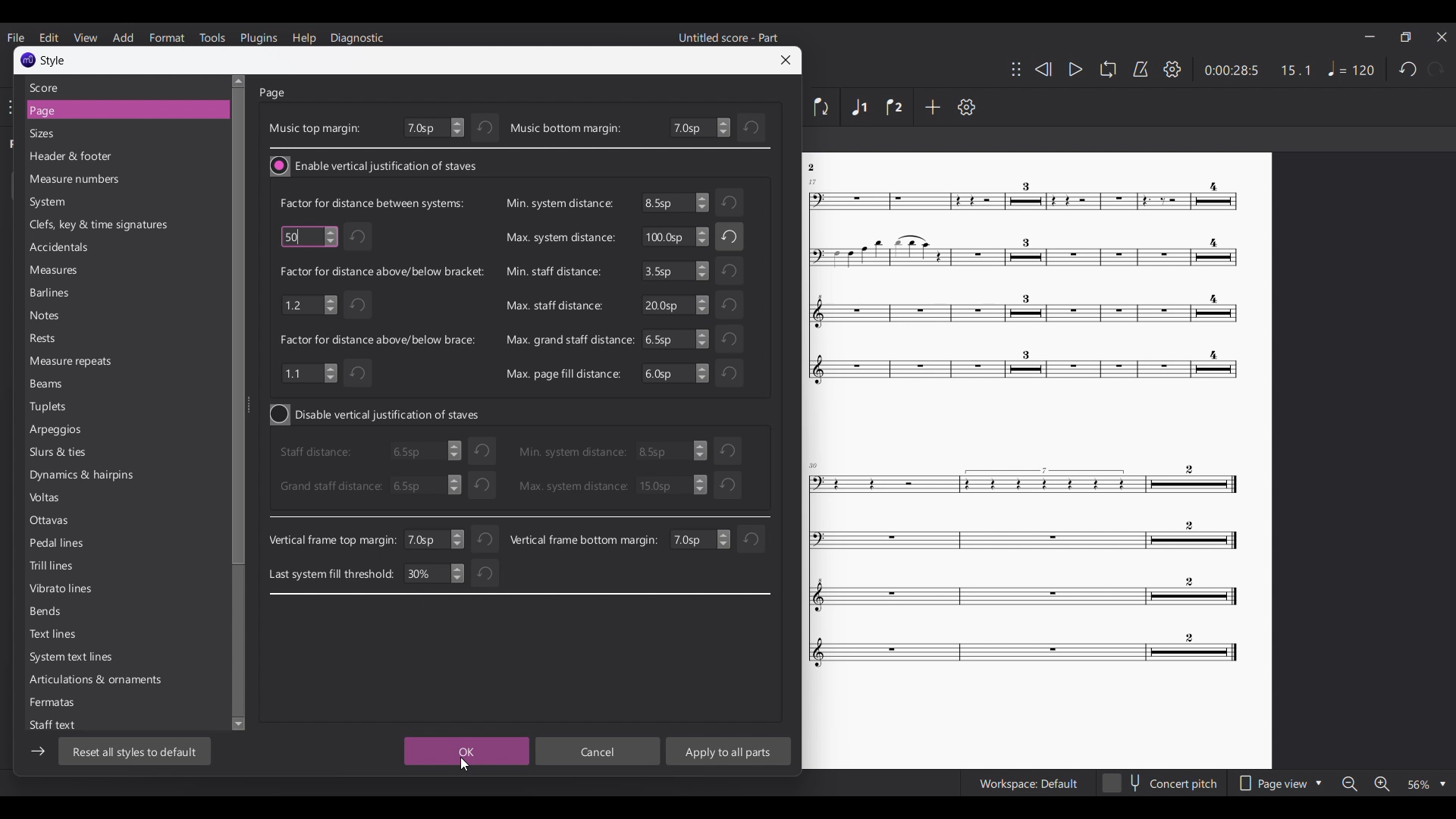 Image resolution: width=1456 pixels, height=819 pixels. I want to click on Min. system distance, so click(572, 451).